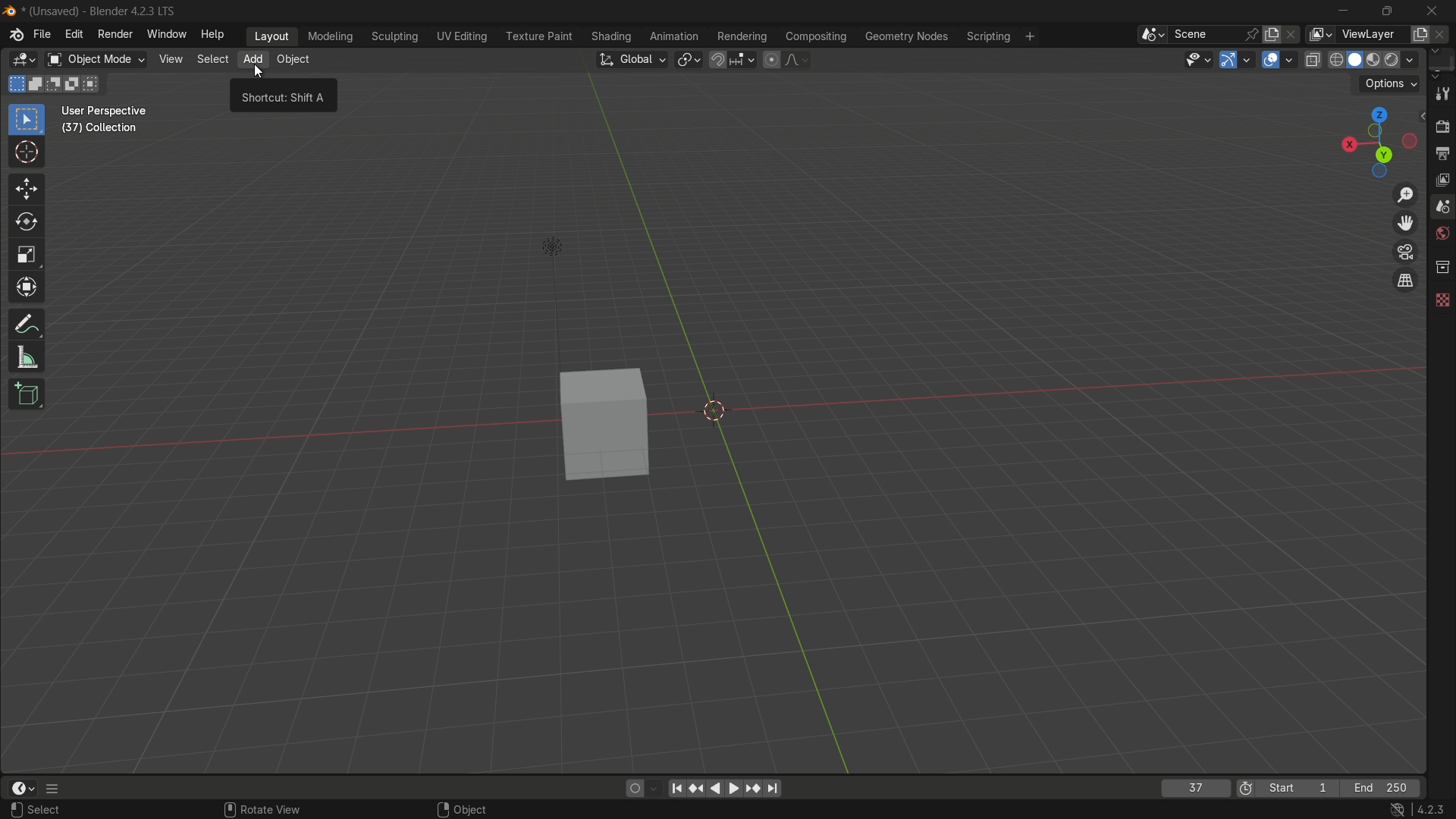 The image size is (1456, 819). I want to click on auto keyframing, so click(657, 788).